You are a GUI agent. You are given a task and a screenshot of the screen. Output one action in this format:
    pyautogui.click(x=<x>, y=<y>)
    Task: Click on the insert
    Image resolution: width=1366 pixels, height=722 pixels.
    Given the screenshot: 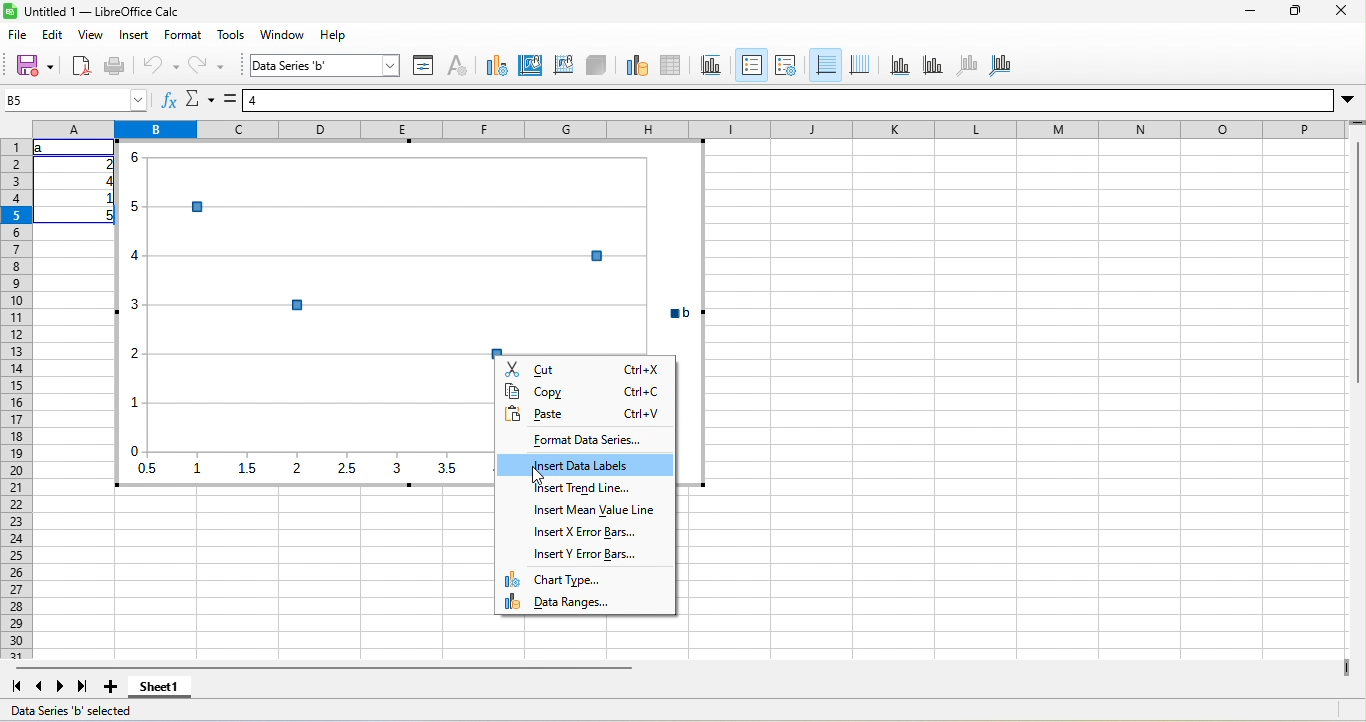 What is the action you would take?
    pyautogui.click(x=134, y=35)
    